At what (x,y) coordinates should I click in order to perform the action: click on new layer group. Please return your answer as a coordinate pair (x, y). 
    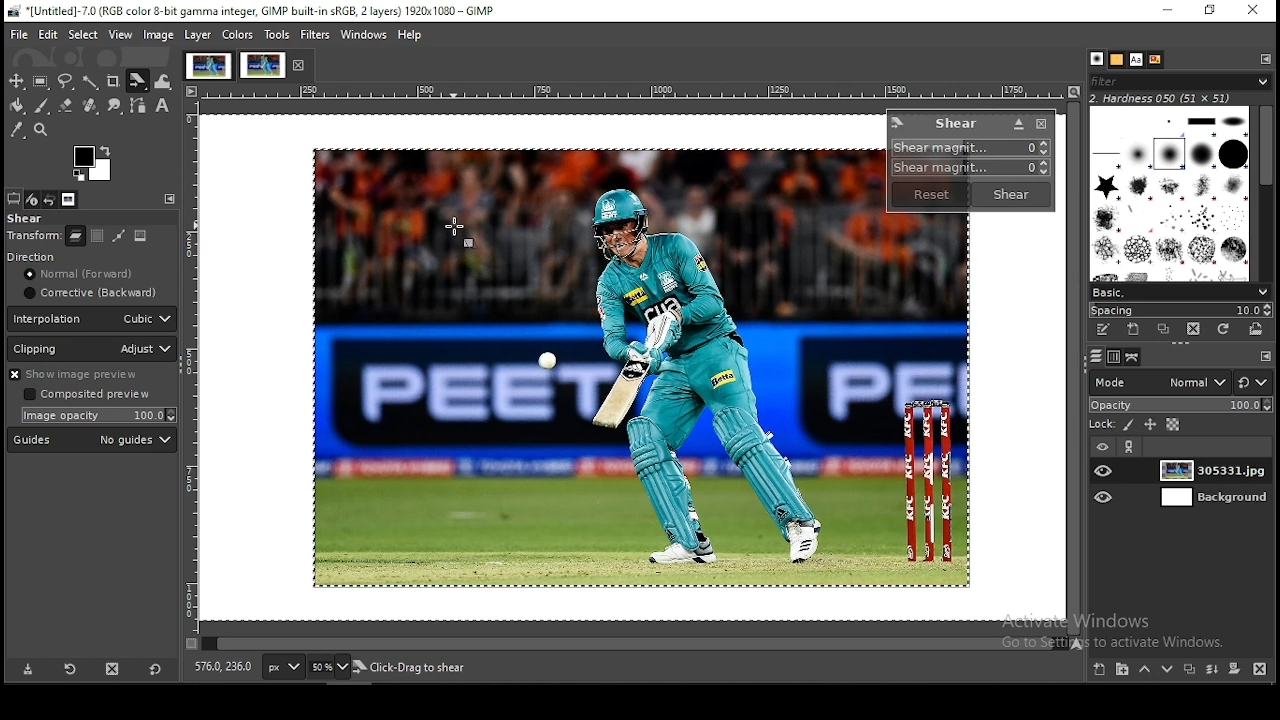
    Looking at the image, I should click on (1121, 670).